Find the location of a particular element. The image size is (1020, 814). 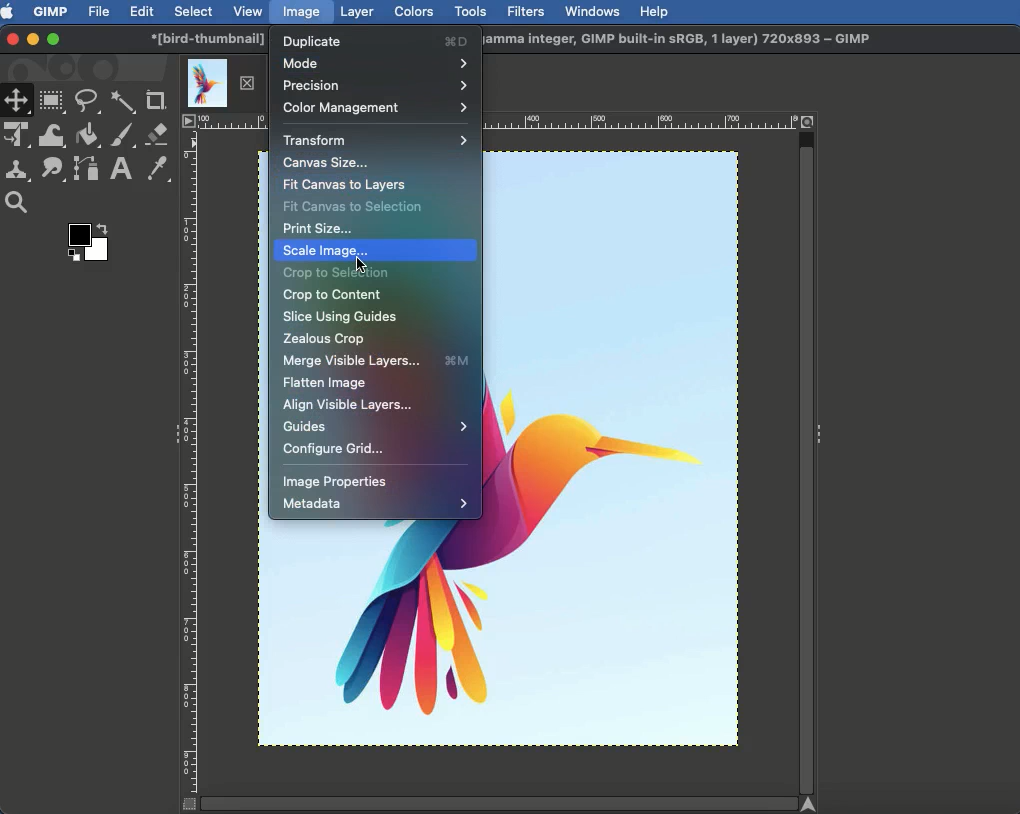

Magnify is located at coordinates (19, 202).